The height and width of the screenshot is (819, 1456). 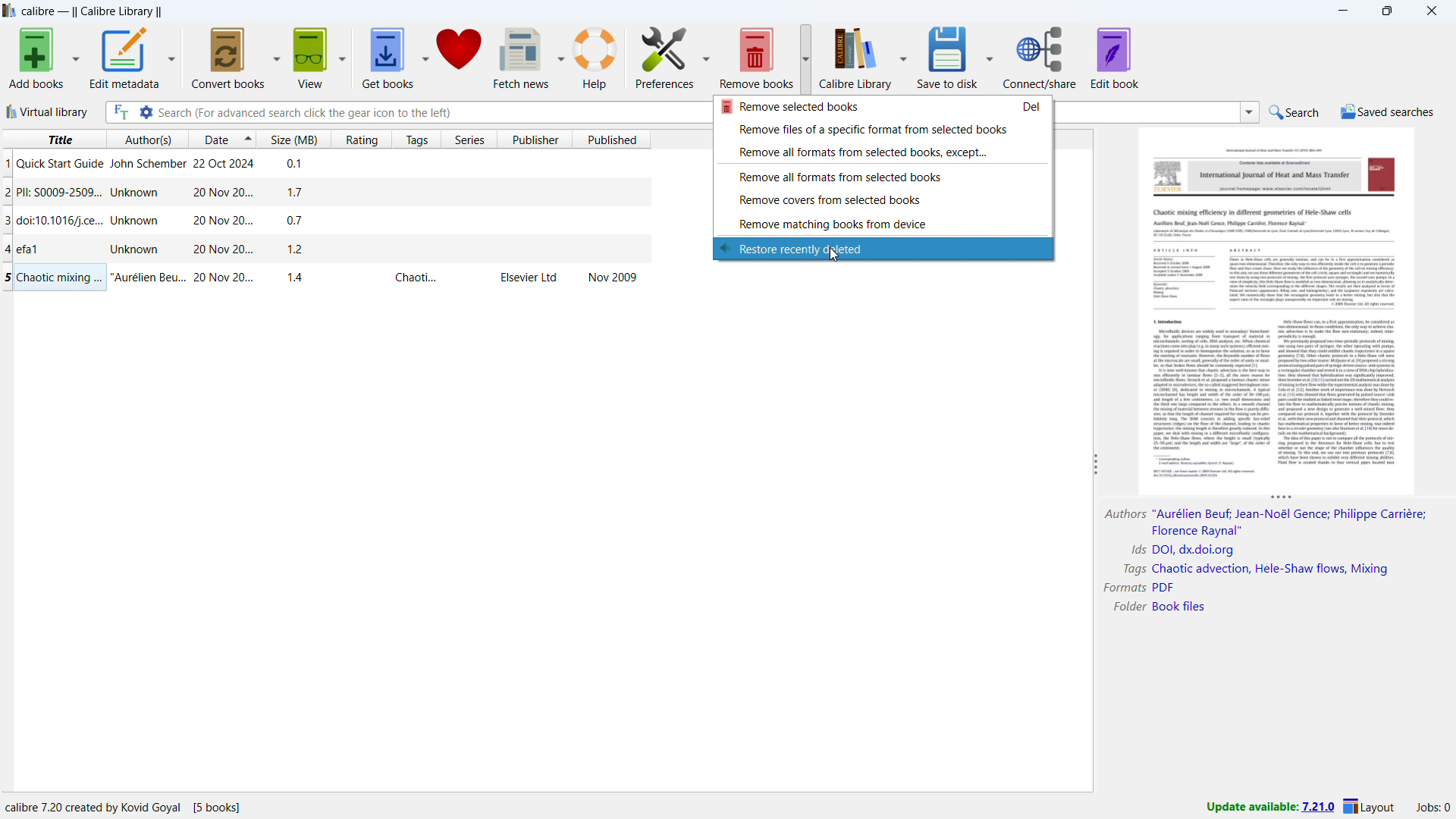 I want to click on sort by series, so click(x=469, y=140).